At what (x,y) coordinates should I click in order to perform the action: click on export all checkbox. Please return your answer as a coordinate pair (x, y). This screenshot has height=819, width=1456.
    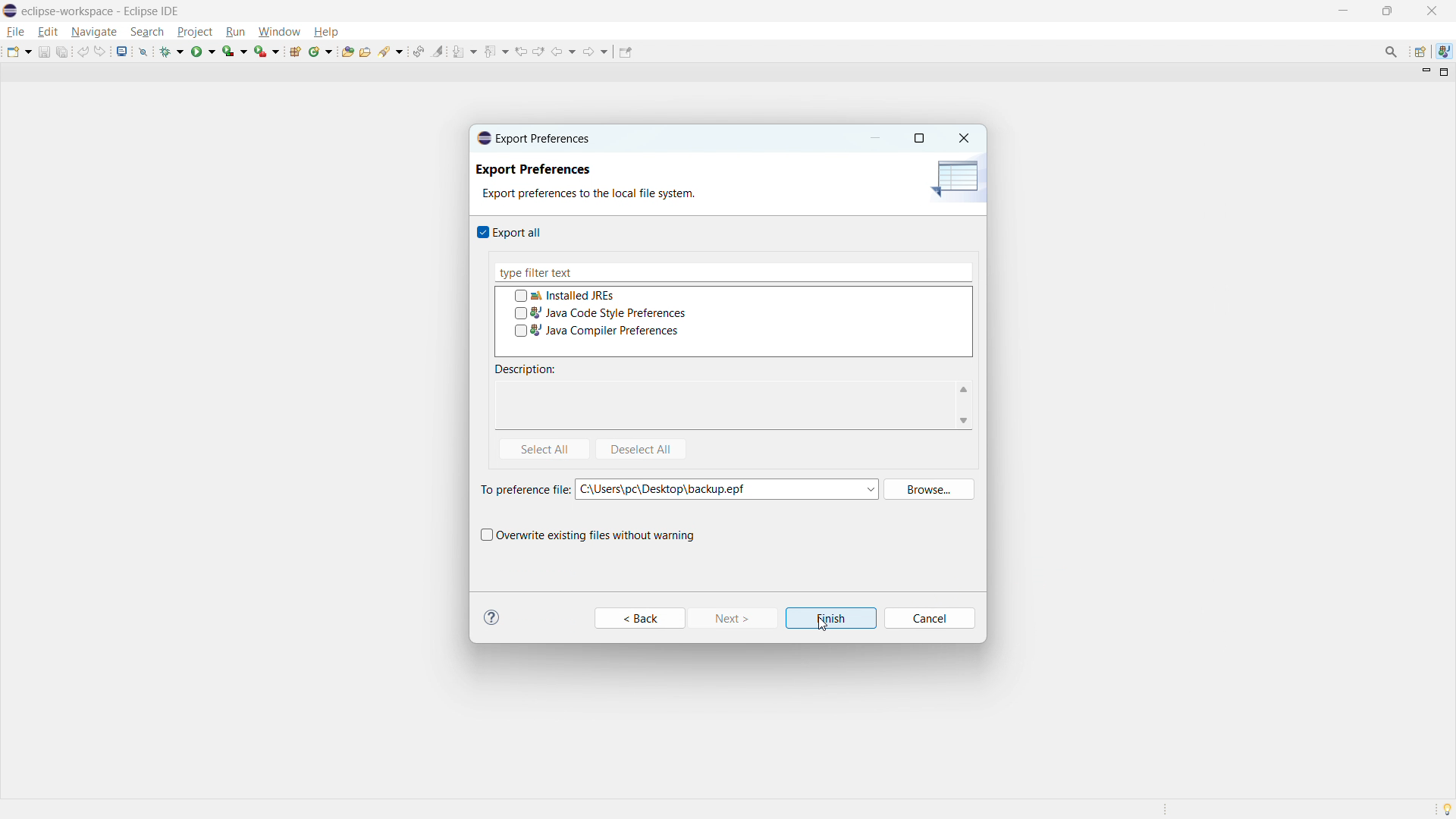
    Looking at the image, I should click on (511, 233).